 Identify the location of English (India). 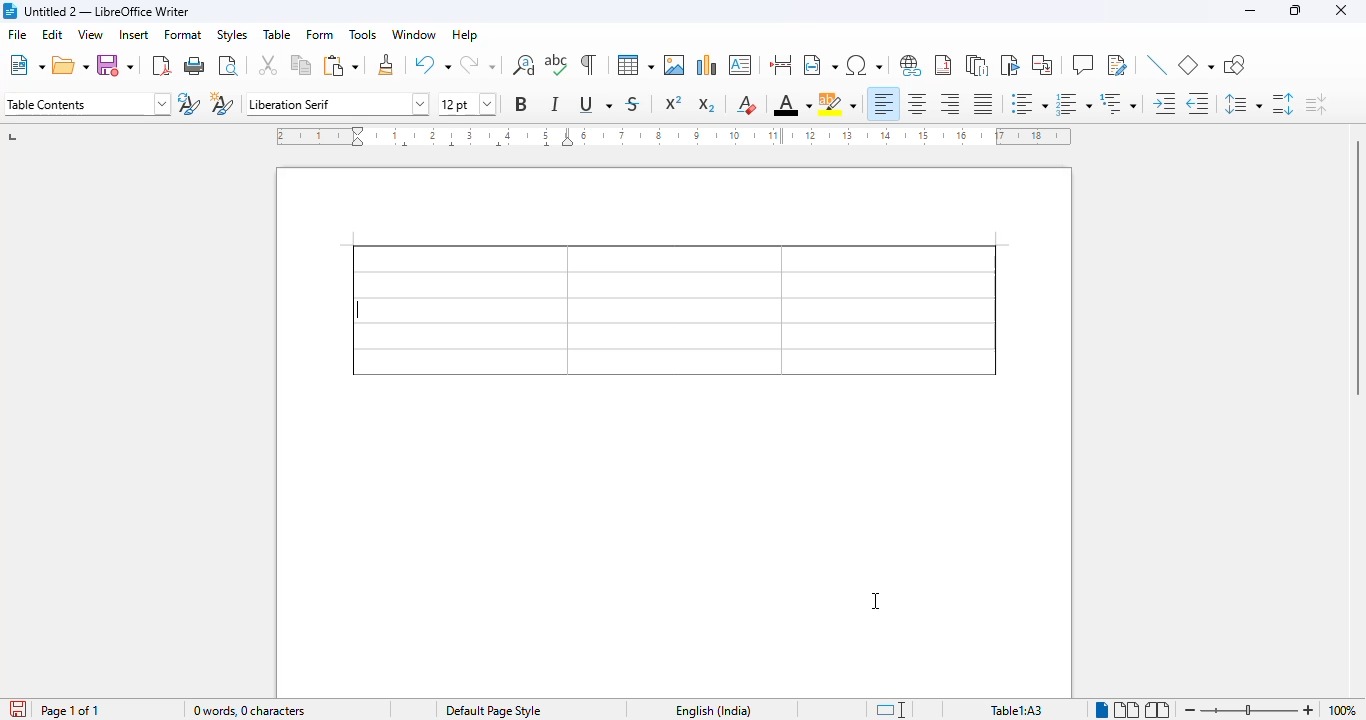
(714, 710).